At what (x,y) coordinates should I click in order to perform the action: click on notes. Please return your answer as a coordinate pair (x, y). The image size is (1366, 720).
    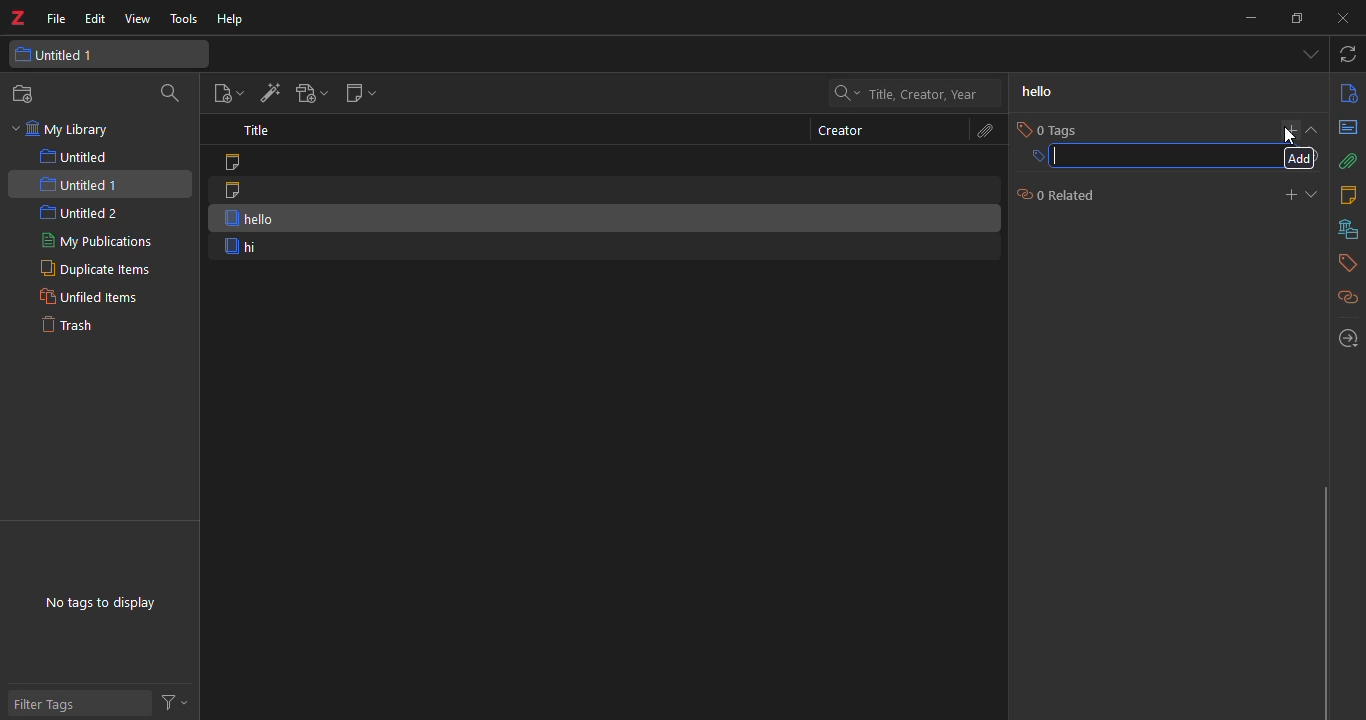
    Looking at the image, I should click on (1346, 195).